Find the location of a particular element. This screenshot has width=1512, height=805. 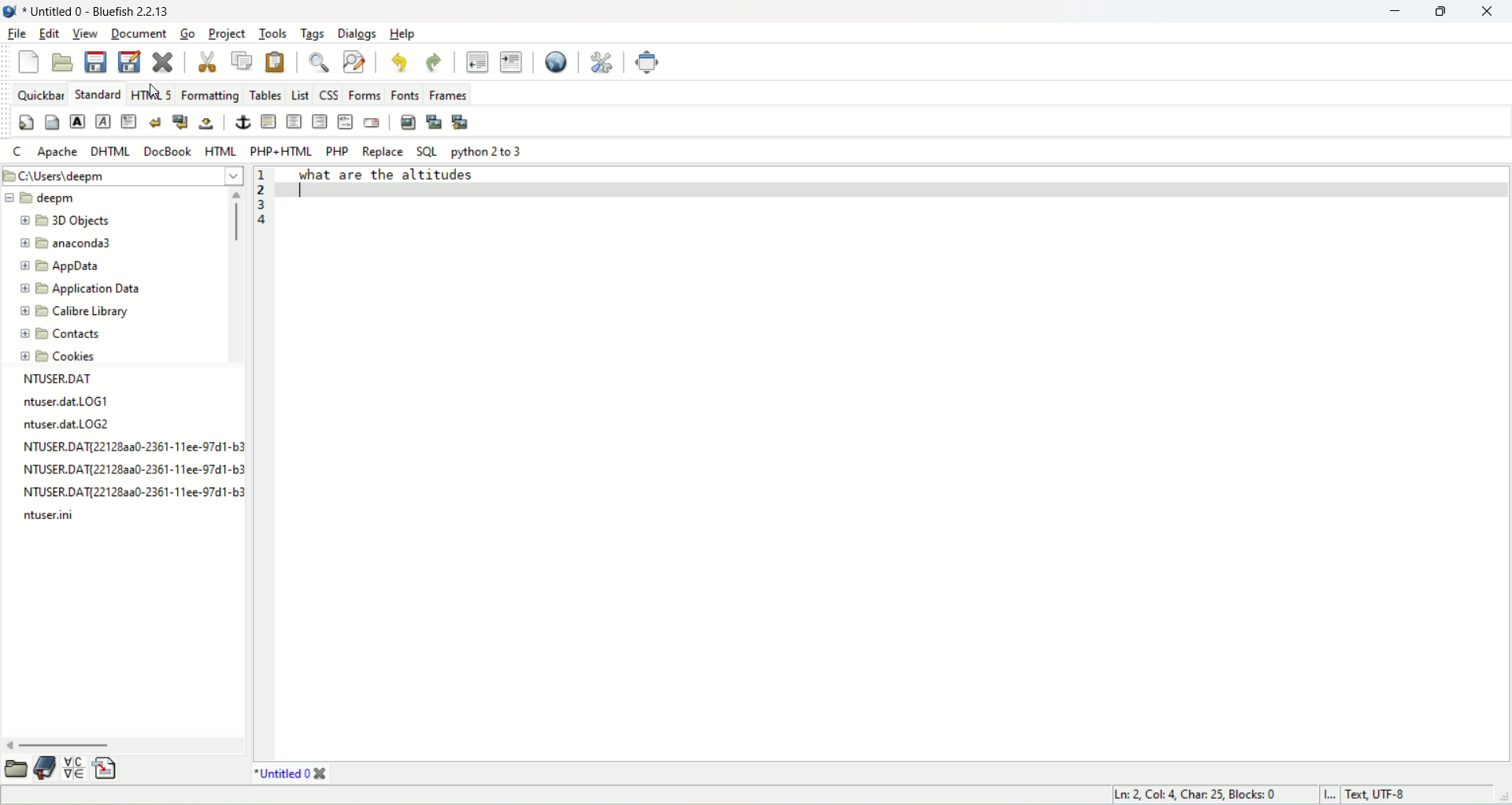

HTML is located at coordinates (220, 152).